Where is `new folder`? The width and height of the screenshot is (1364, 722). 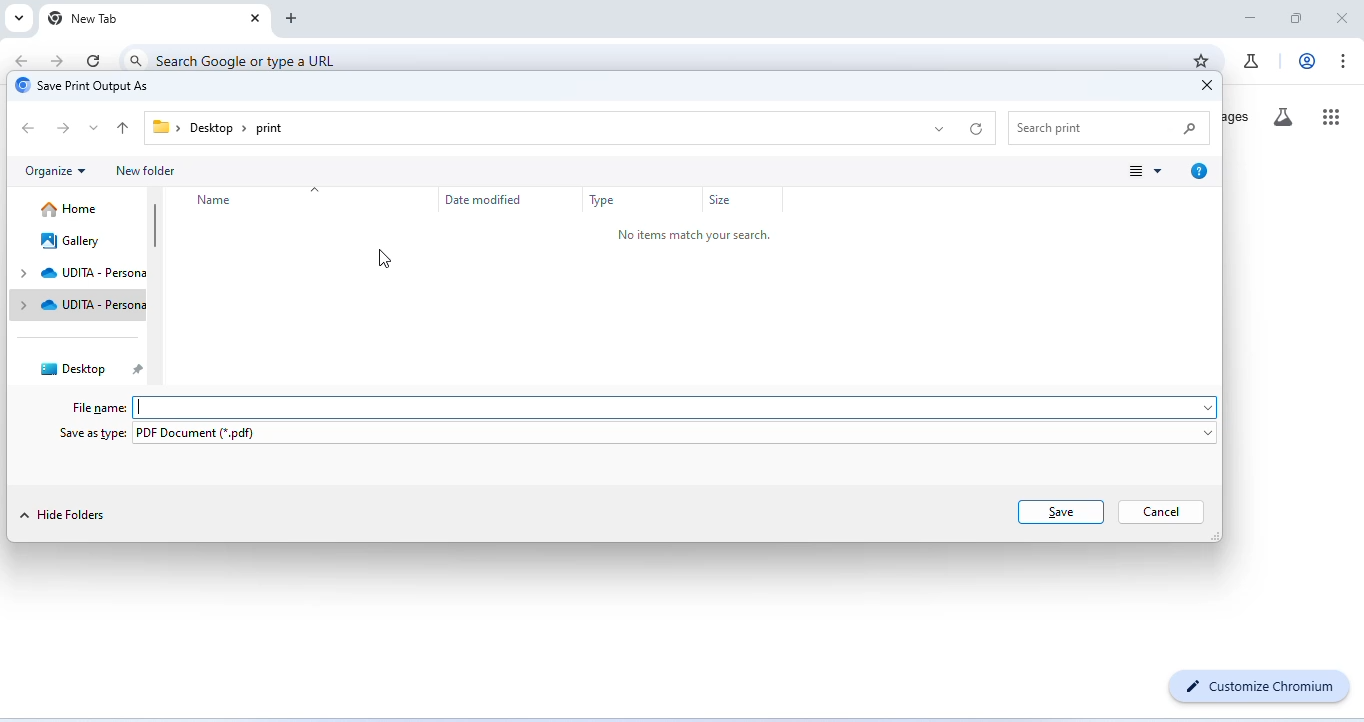
new folder is located at coordinates (150, 172).